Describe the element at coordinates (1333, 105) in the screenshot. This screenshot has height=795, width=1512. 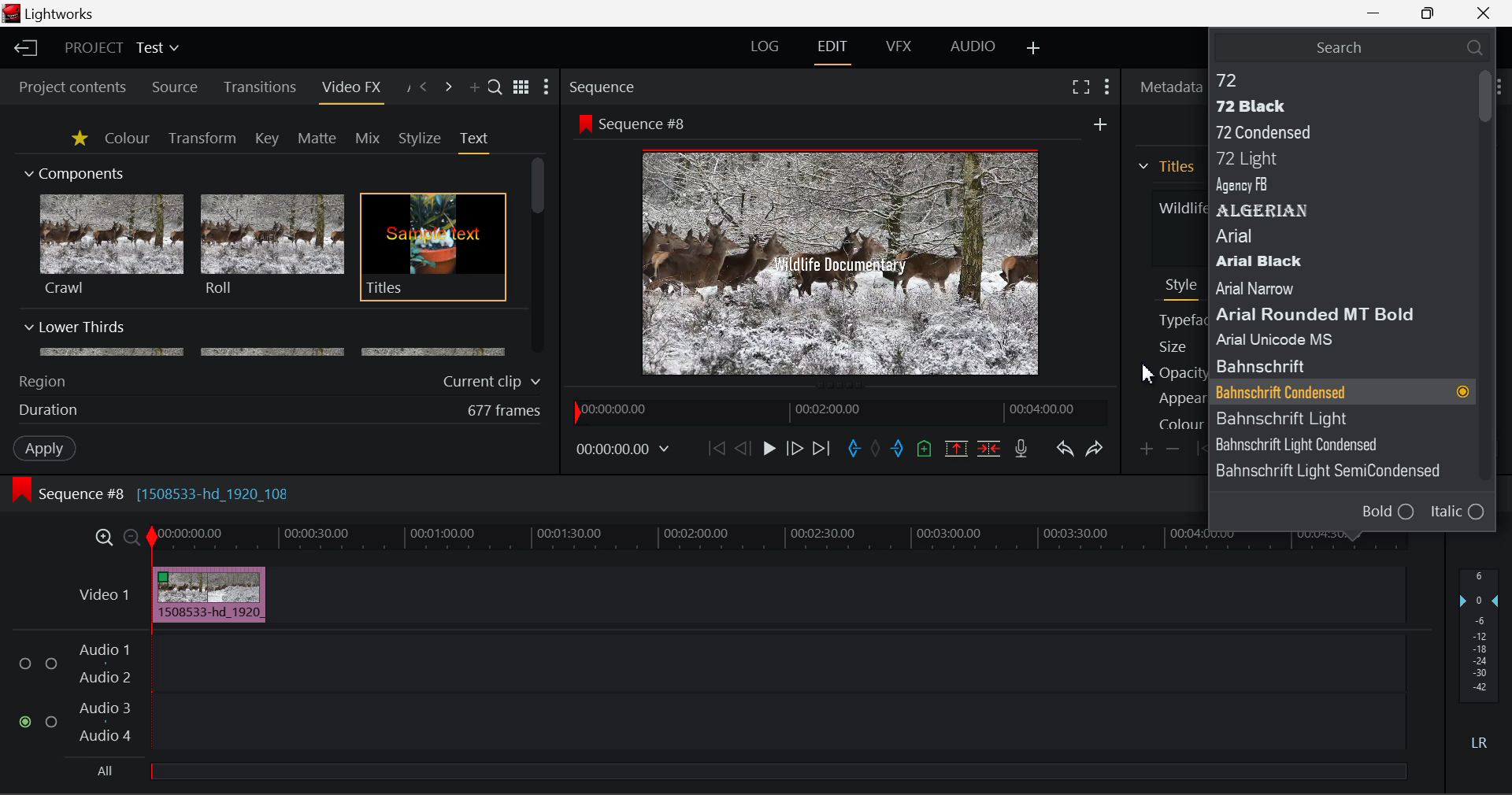
I see `72 Black` at that location.